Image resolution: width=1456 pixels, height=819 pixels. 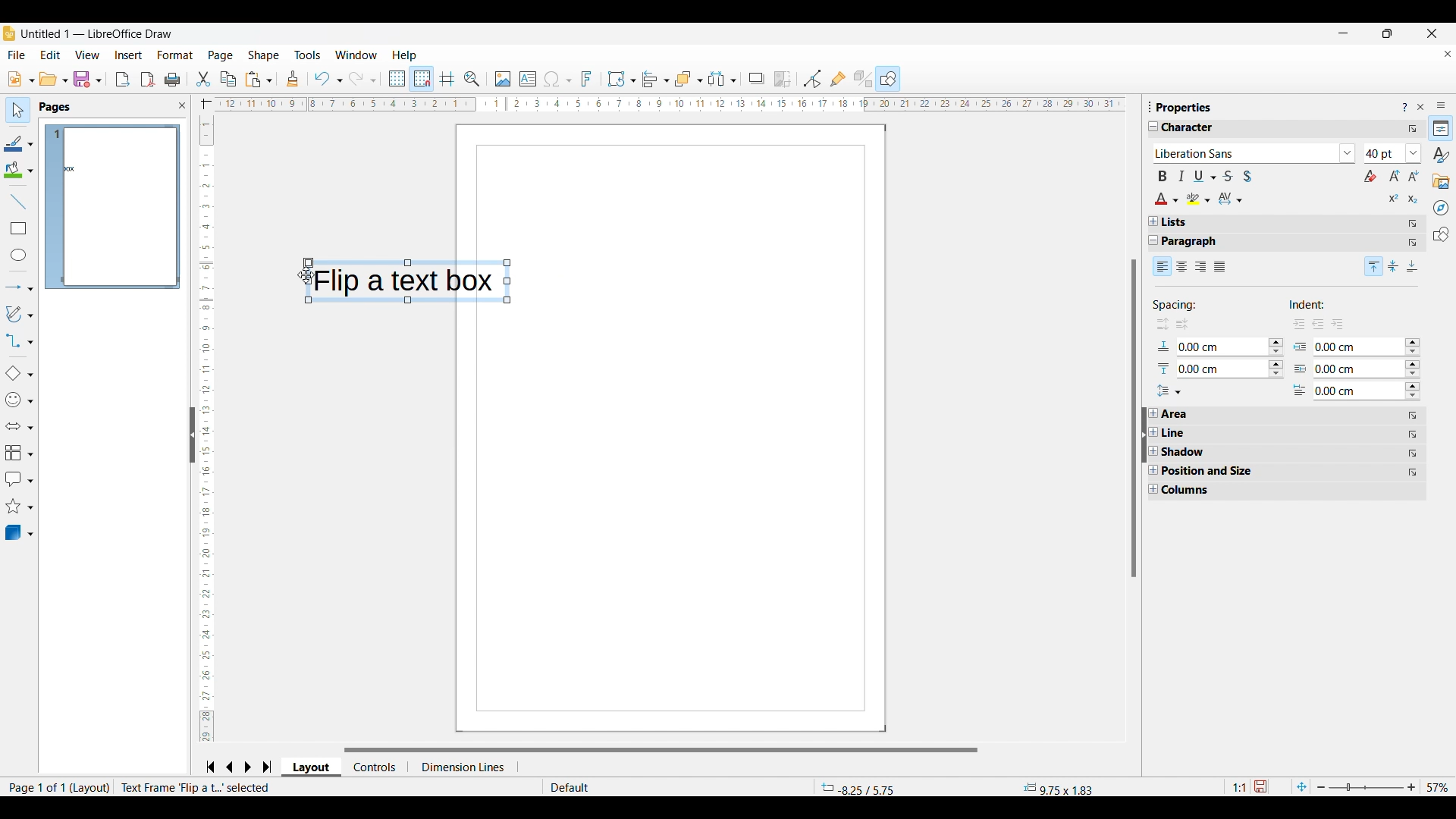 What do you see at coordinates (1154, 126) in the screenshot?
I see `Collapse Character` at bounding box center [1154, 126].